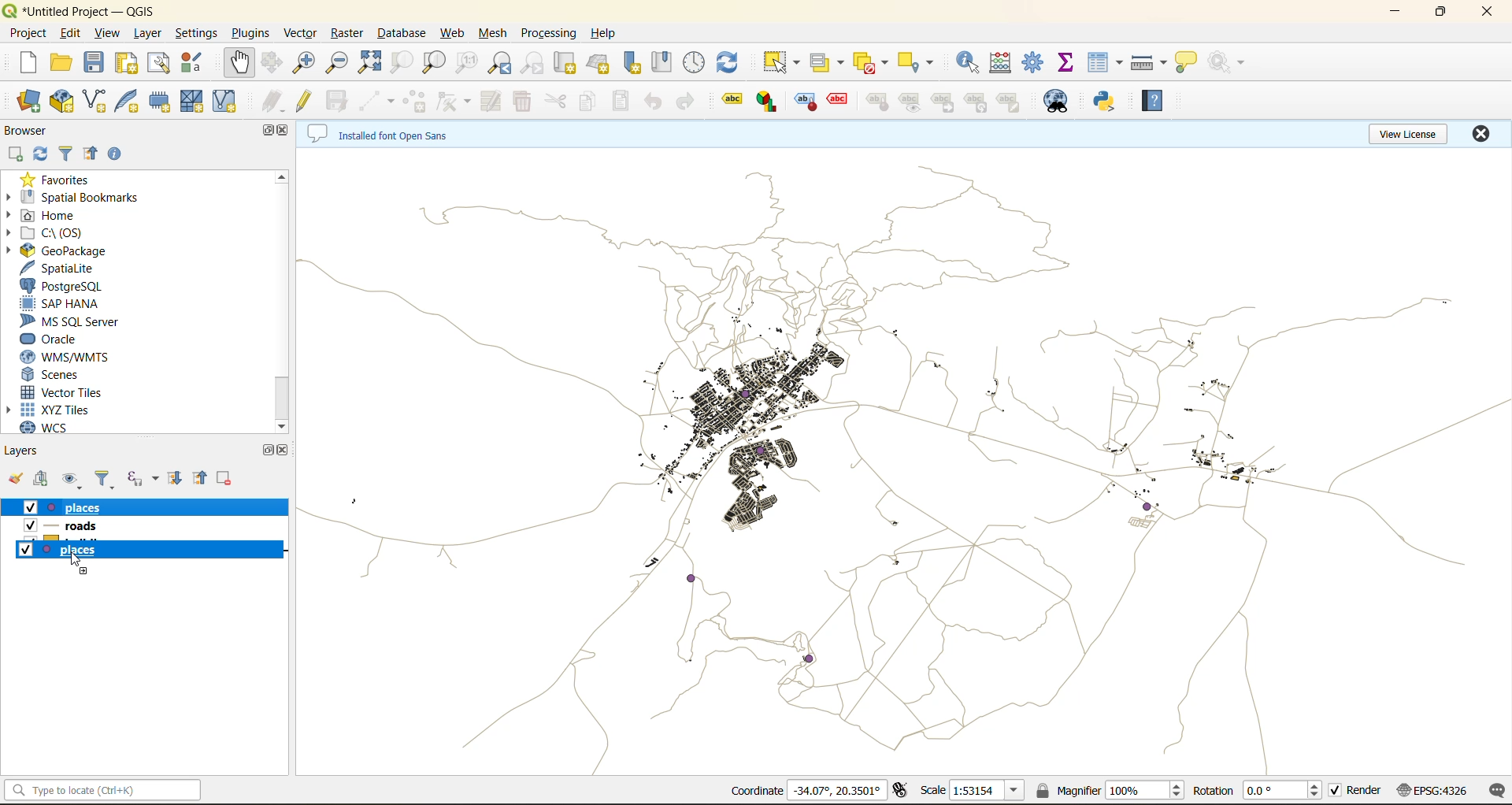 The width and height of the screenshot is (1512, 805). I want to click on show/hide labels and diagrams, so click(913, 101).